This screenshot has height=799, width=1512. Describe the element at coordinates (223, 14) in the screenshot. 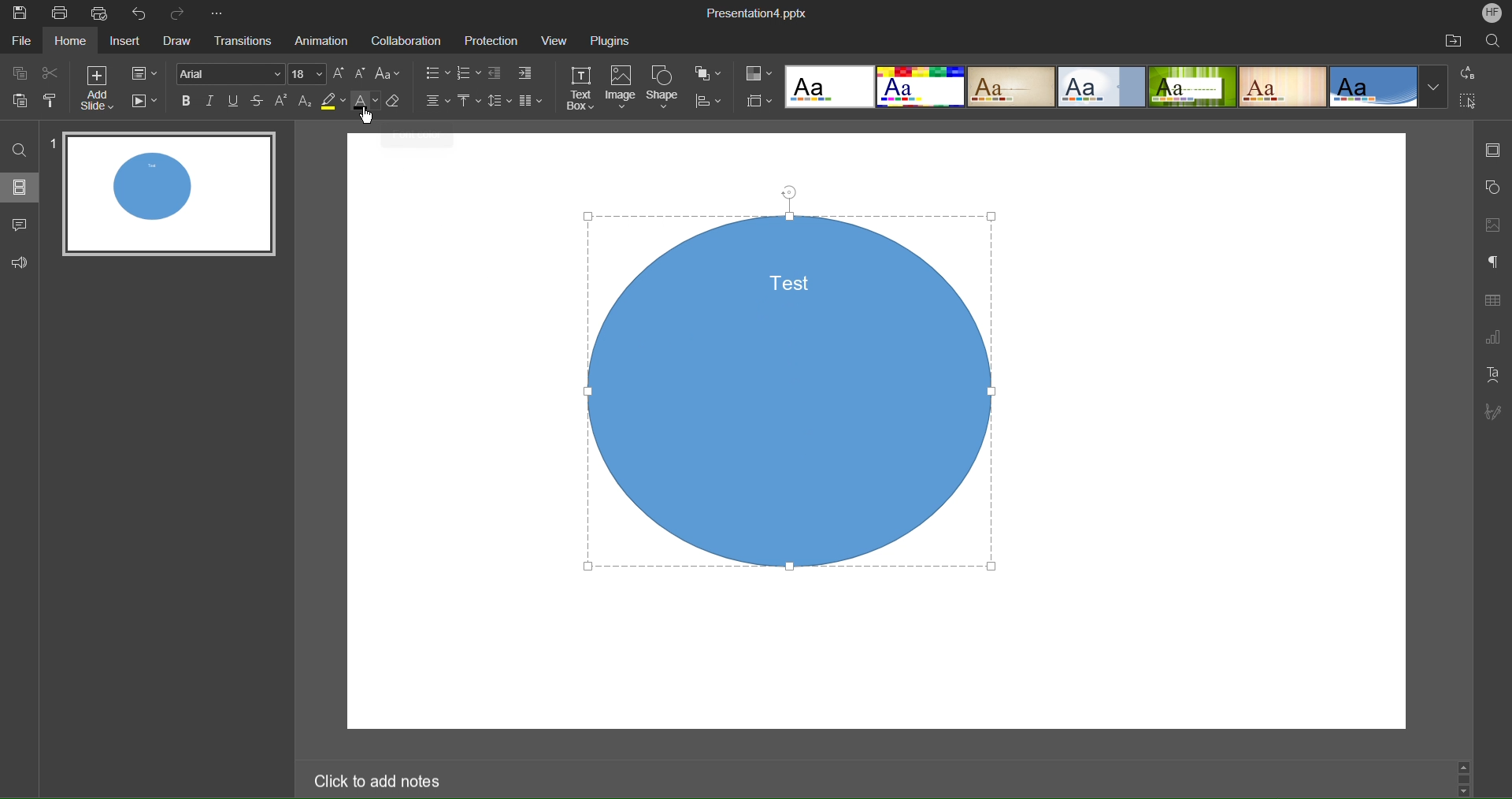

I see `More` at that location.